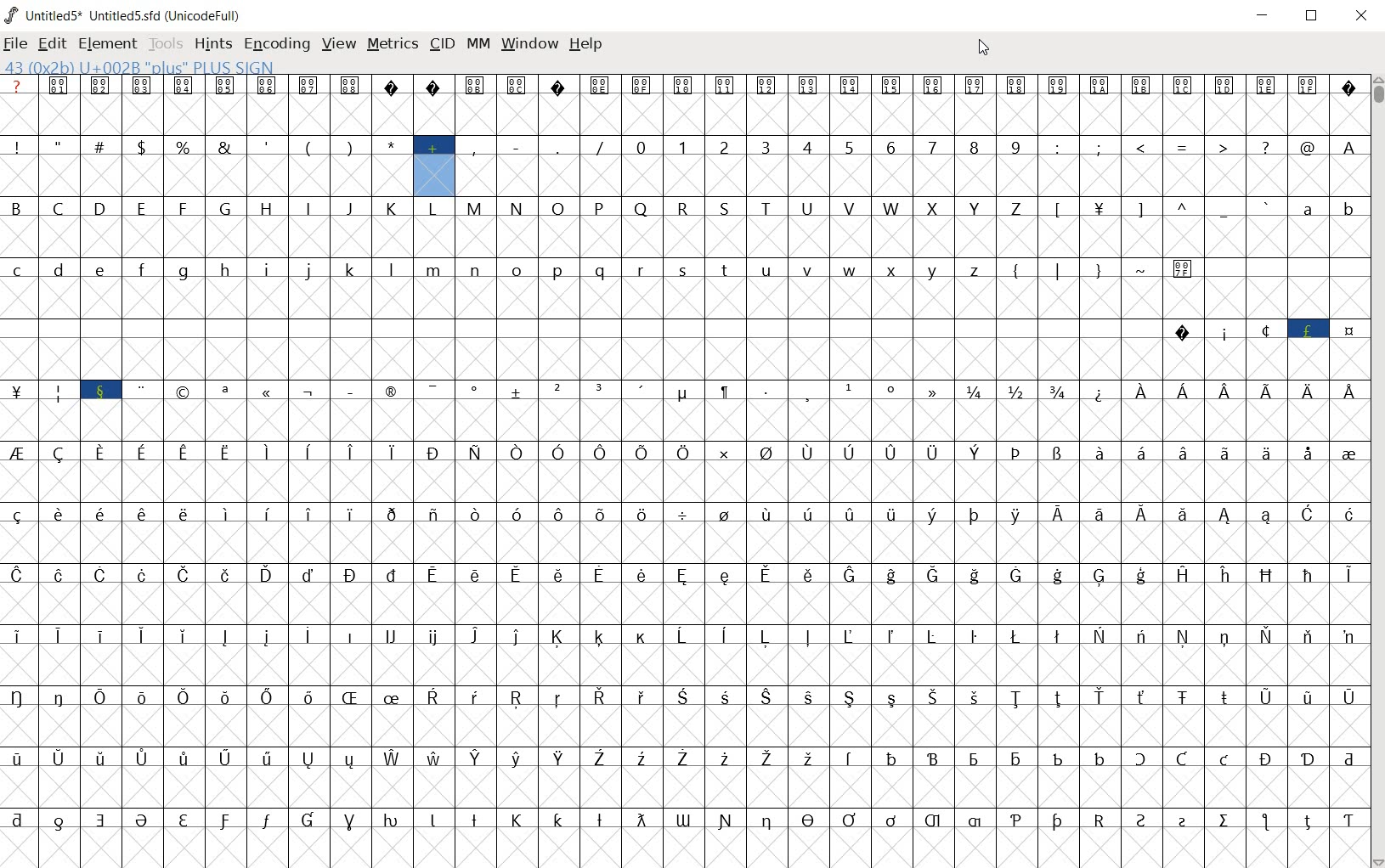  Describe the element at coordinates (983, 49) in the screenshot. I see `cursor` at that location.